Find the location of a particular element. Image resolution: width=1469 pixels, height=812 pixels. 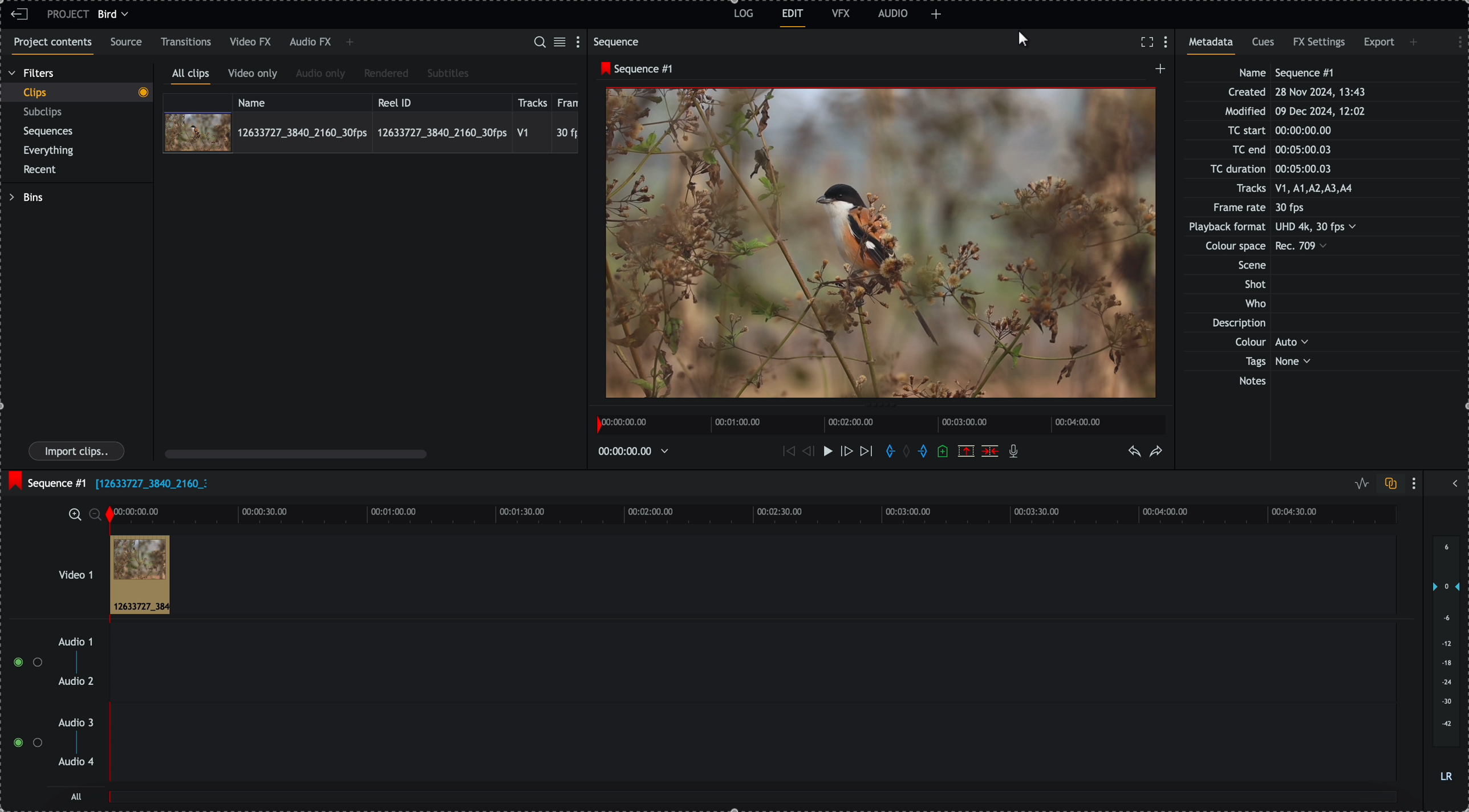

leave is located at coordinates (19, 15).